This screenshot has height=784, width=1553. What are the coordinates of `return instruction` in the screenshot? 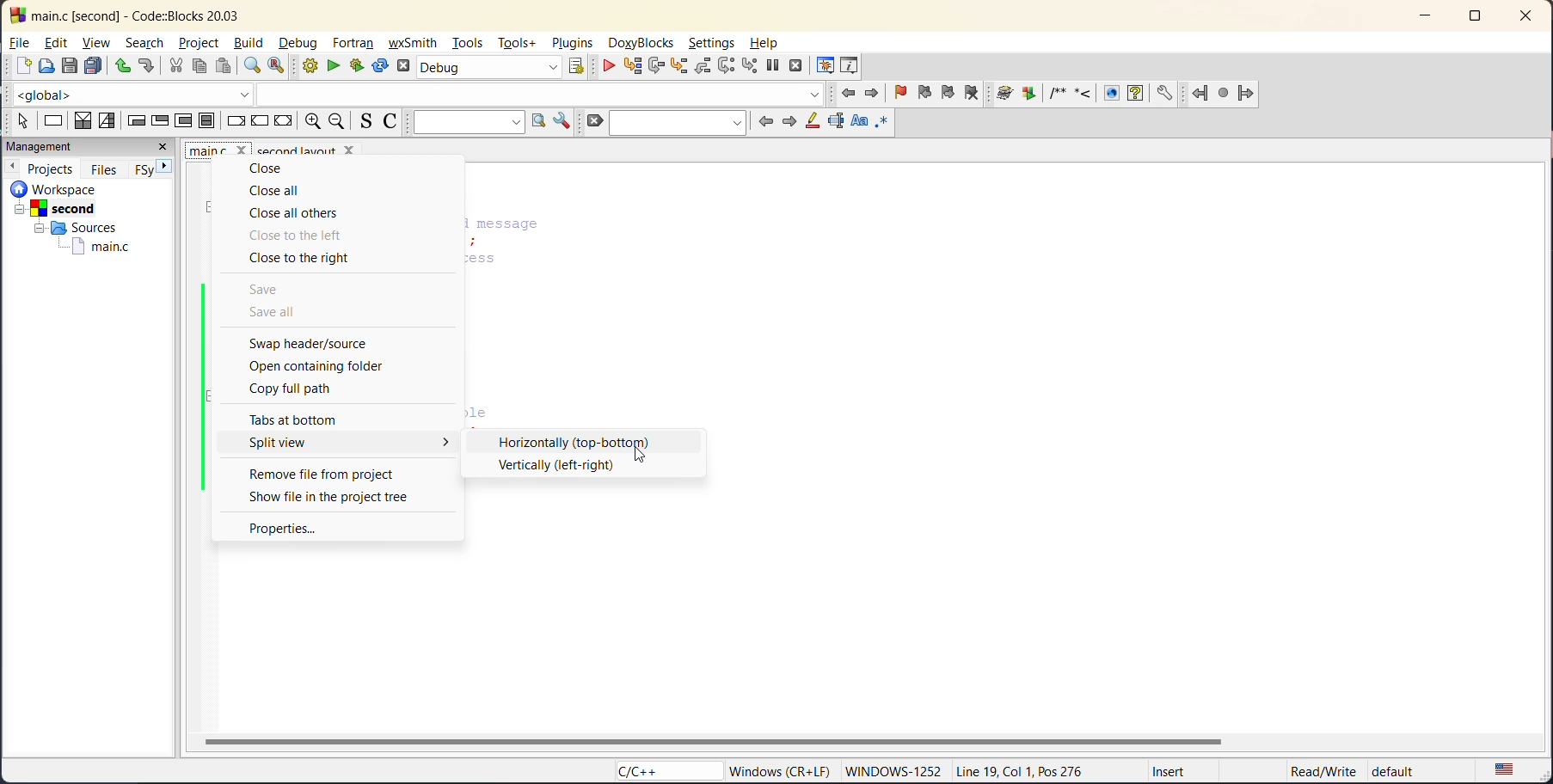 It's located at (284, 121).